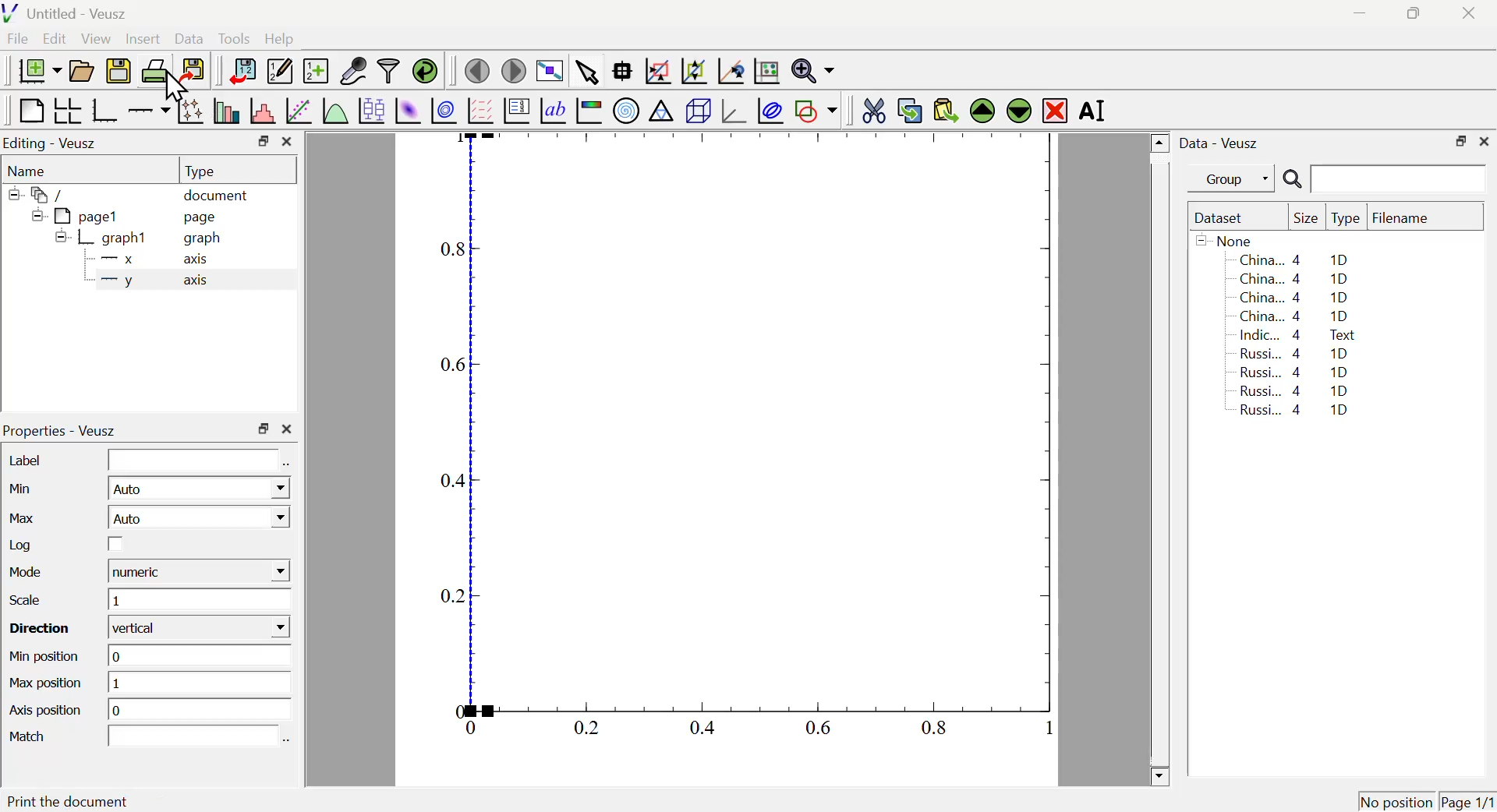 This screenshot has height=812, width=1497. Describe the element at coordinates (278, 72) in the screenshot. I see `Edit or add new data sets` at that location.